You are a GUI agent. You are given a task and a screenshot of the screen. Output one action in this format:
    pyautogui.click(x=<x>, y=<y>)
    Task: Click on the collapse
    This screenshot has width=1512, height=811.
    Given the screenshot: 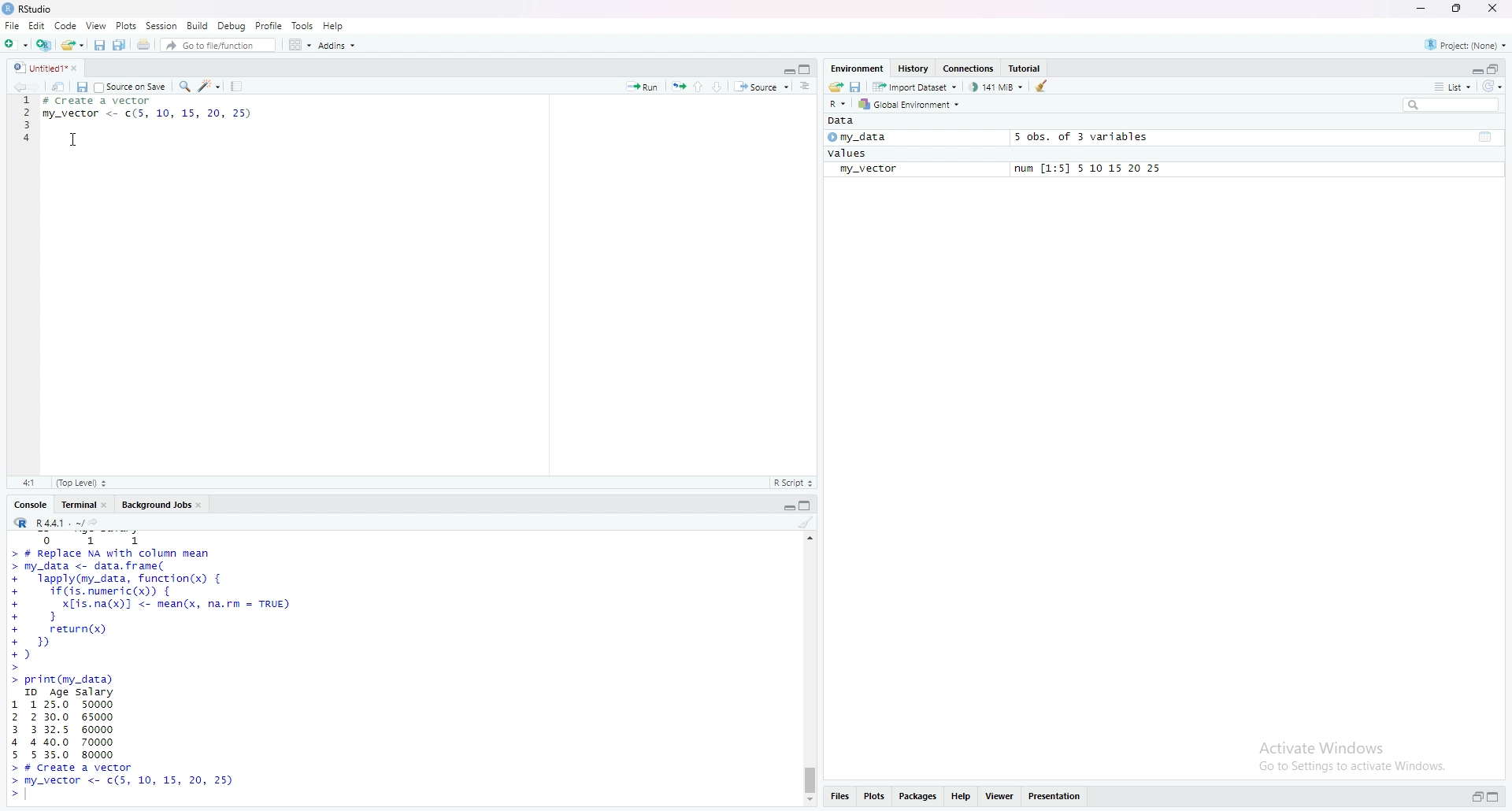 What is the action you would take?
    pyautogui.click(x=1495, y=69)
    